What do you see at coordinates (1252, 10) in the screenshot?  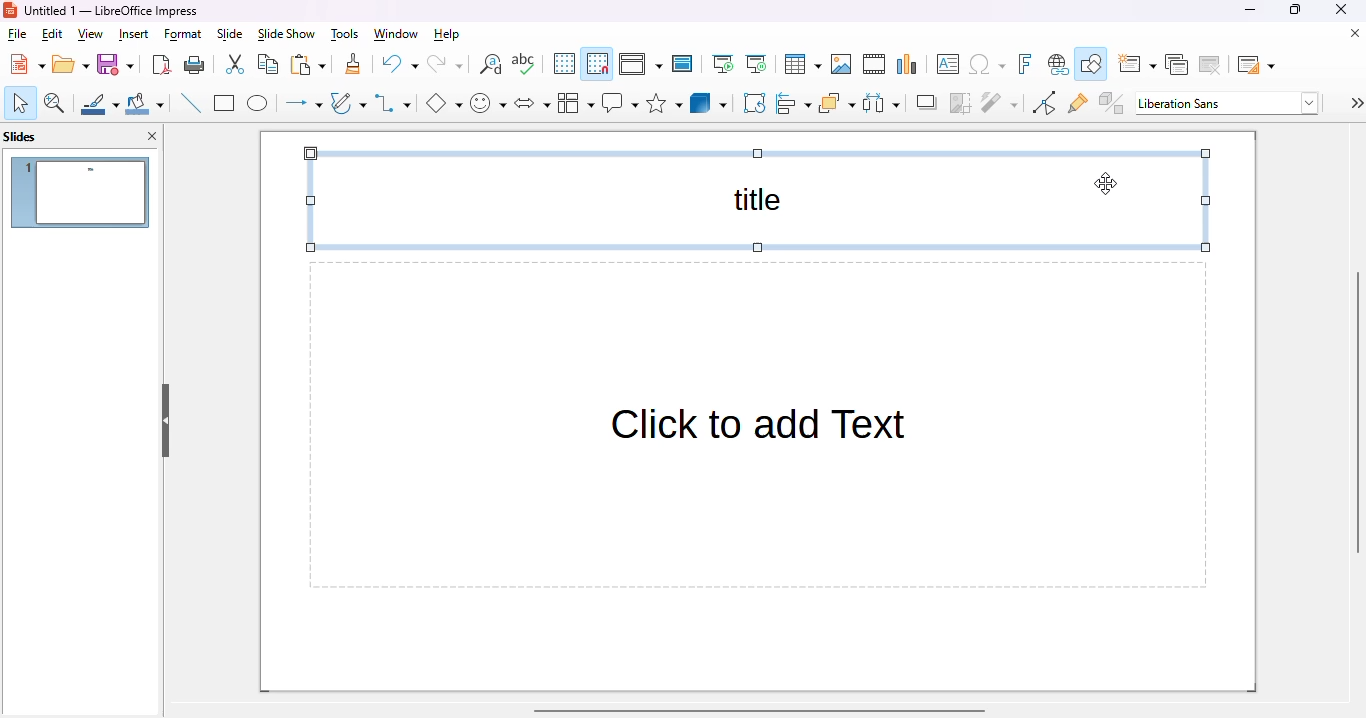 I see `minimize` at bounding box center [1252, 10].